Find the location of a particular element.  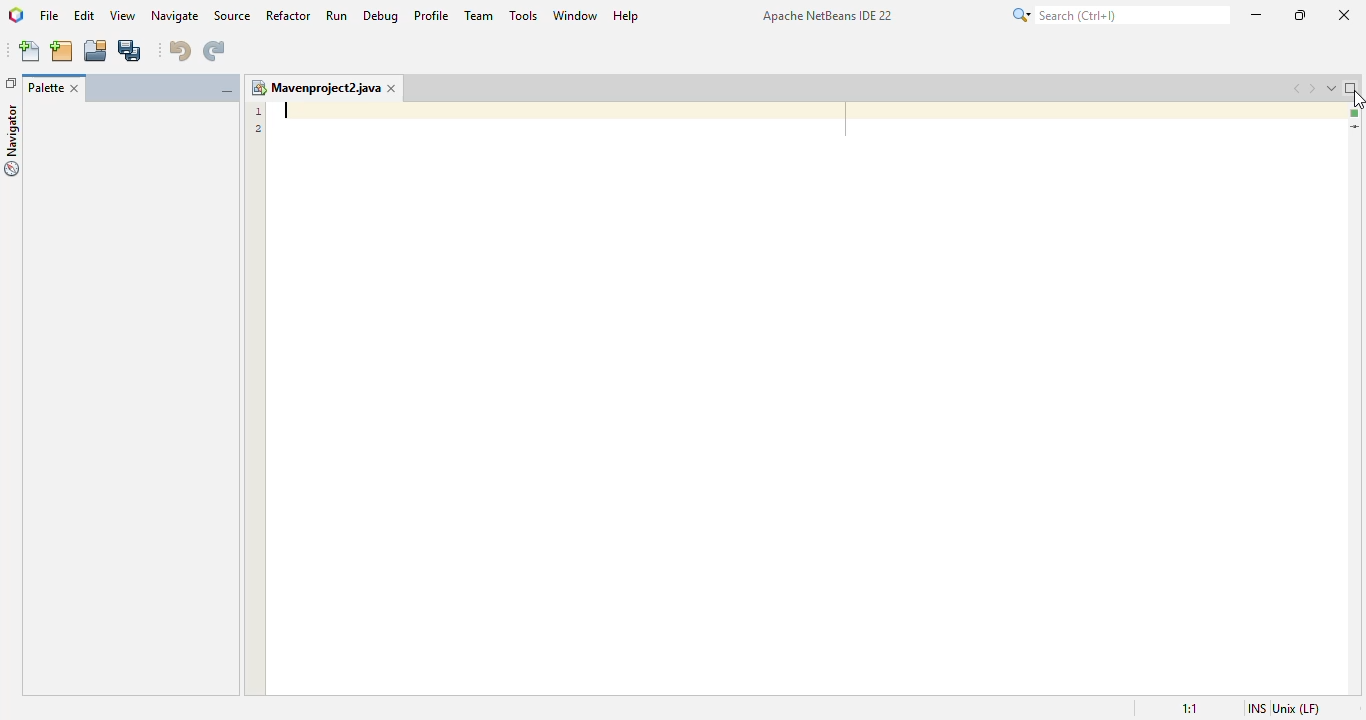

cursor is located at coordinates (1357, 99).